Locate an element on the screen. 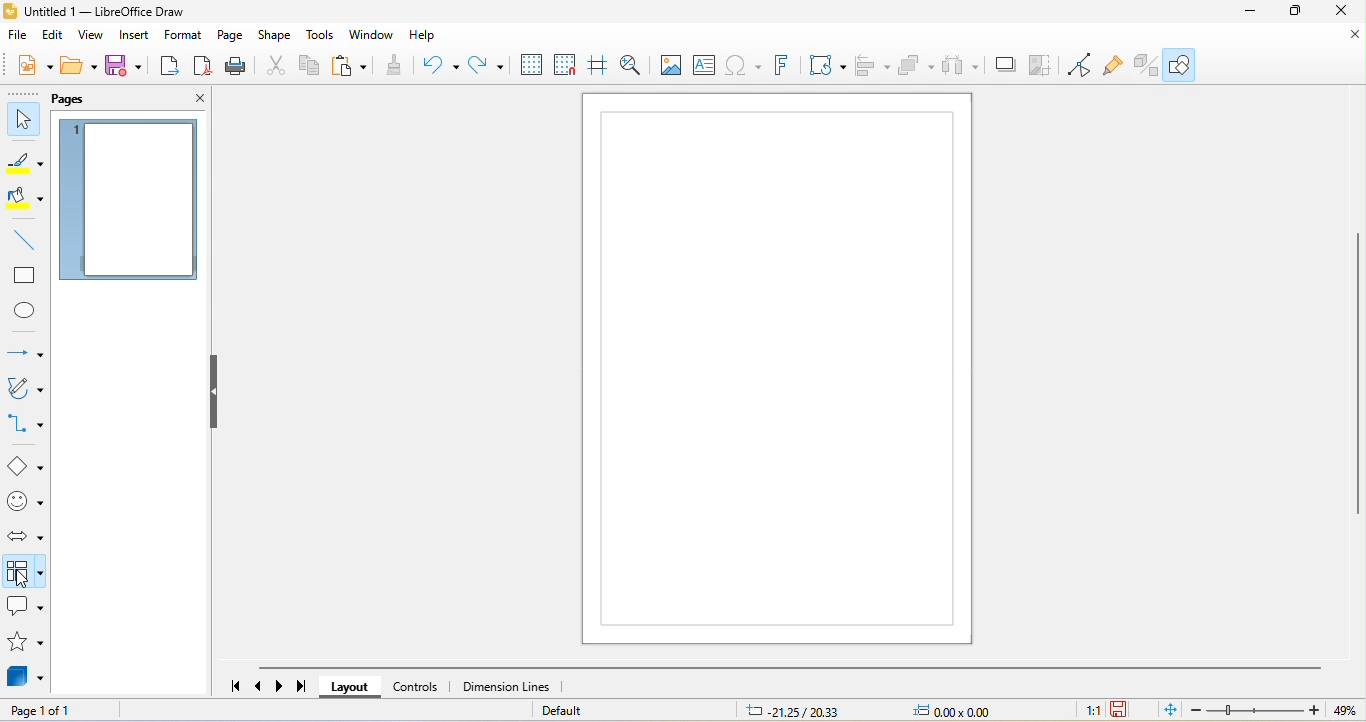 The image size is (1366, 722). page 1 of 1 is located at coordinates (52, 712).